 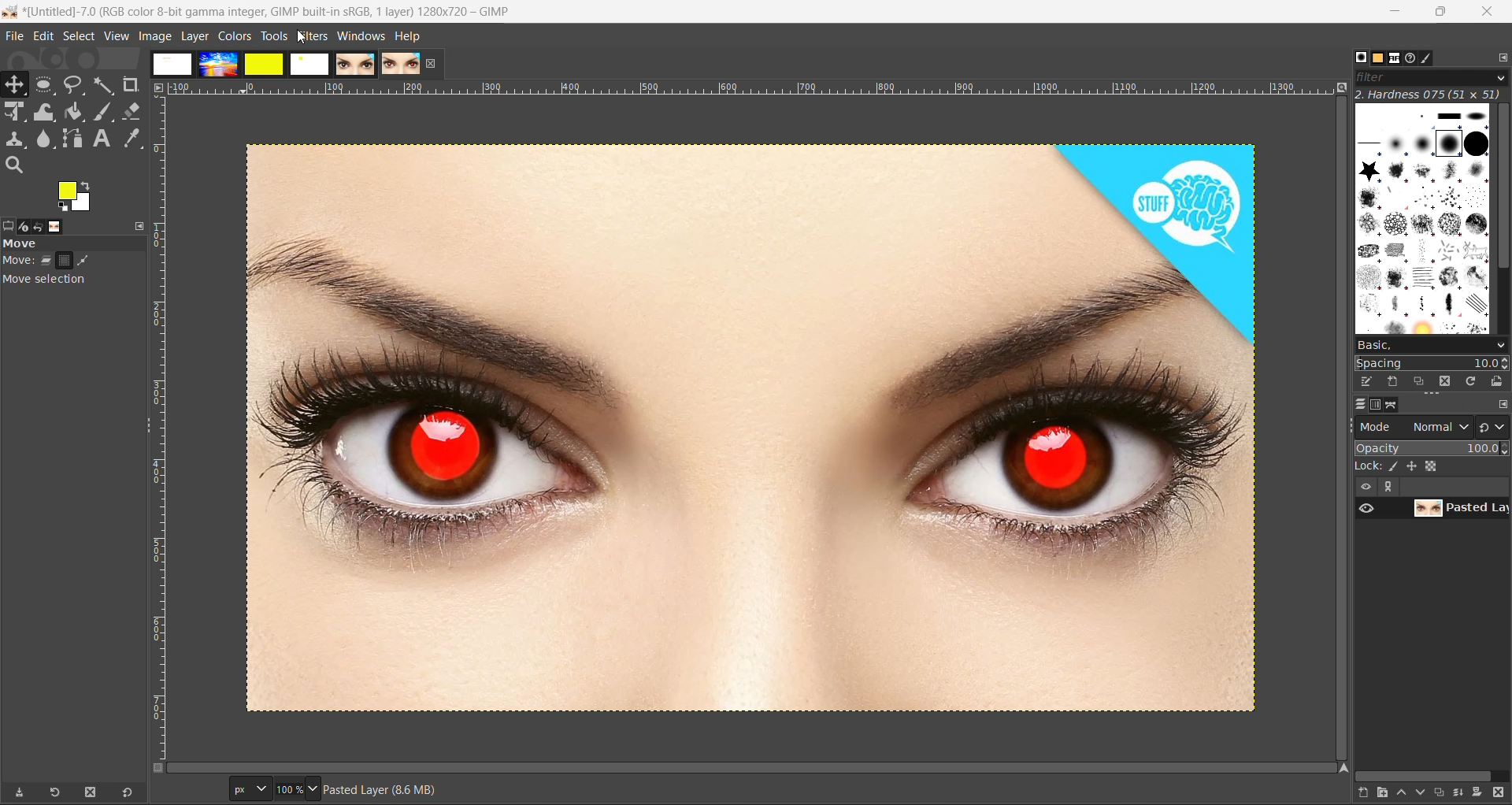 I want to click on layer, so click(x=1354, y=406).